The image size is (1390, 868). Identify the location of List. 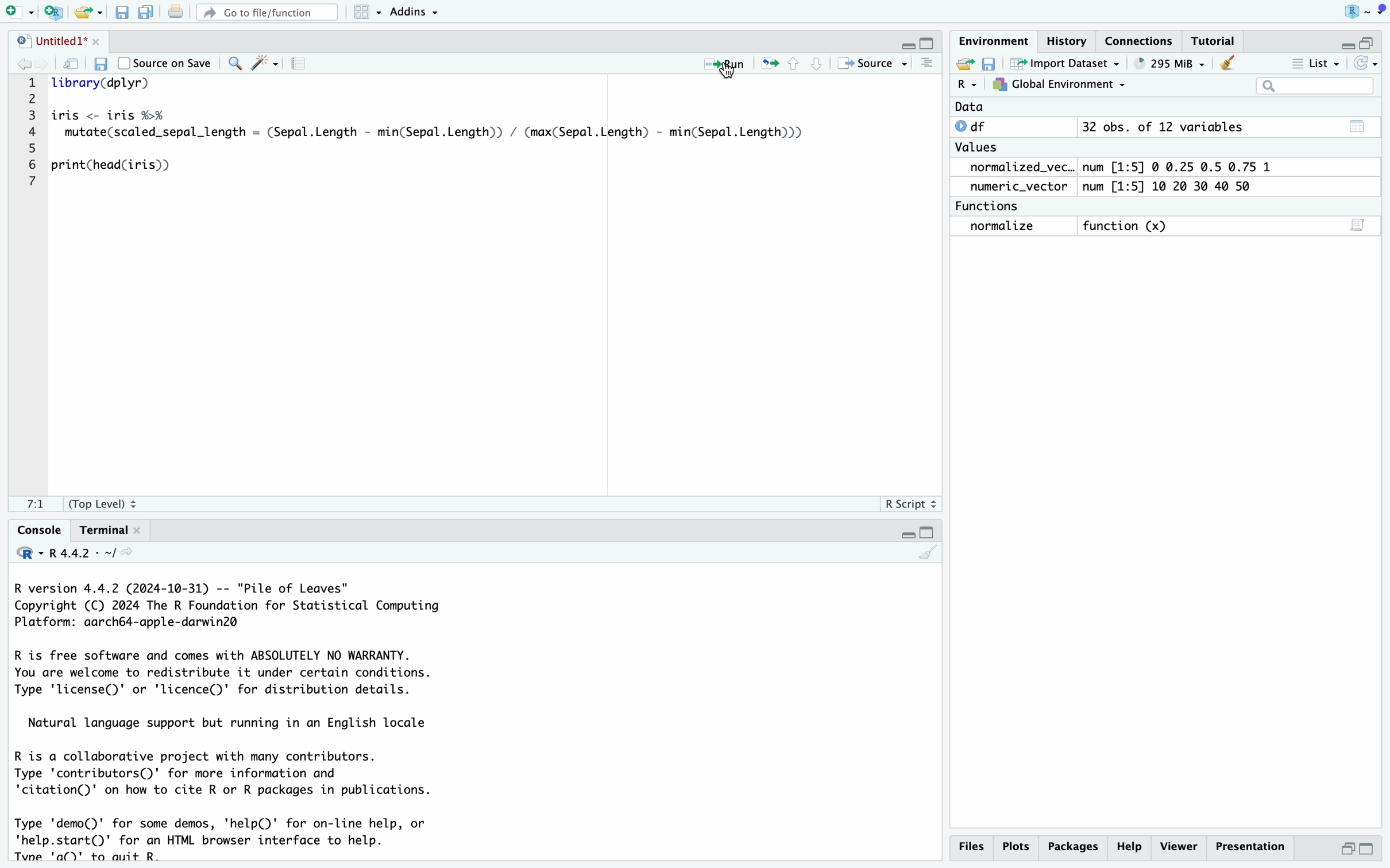
(1318, 65).